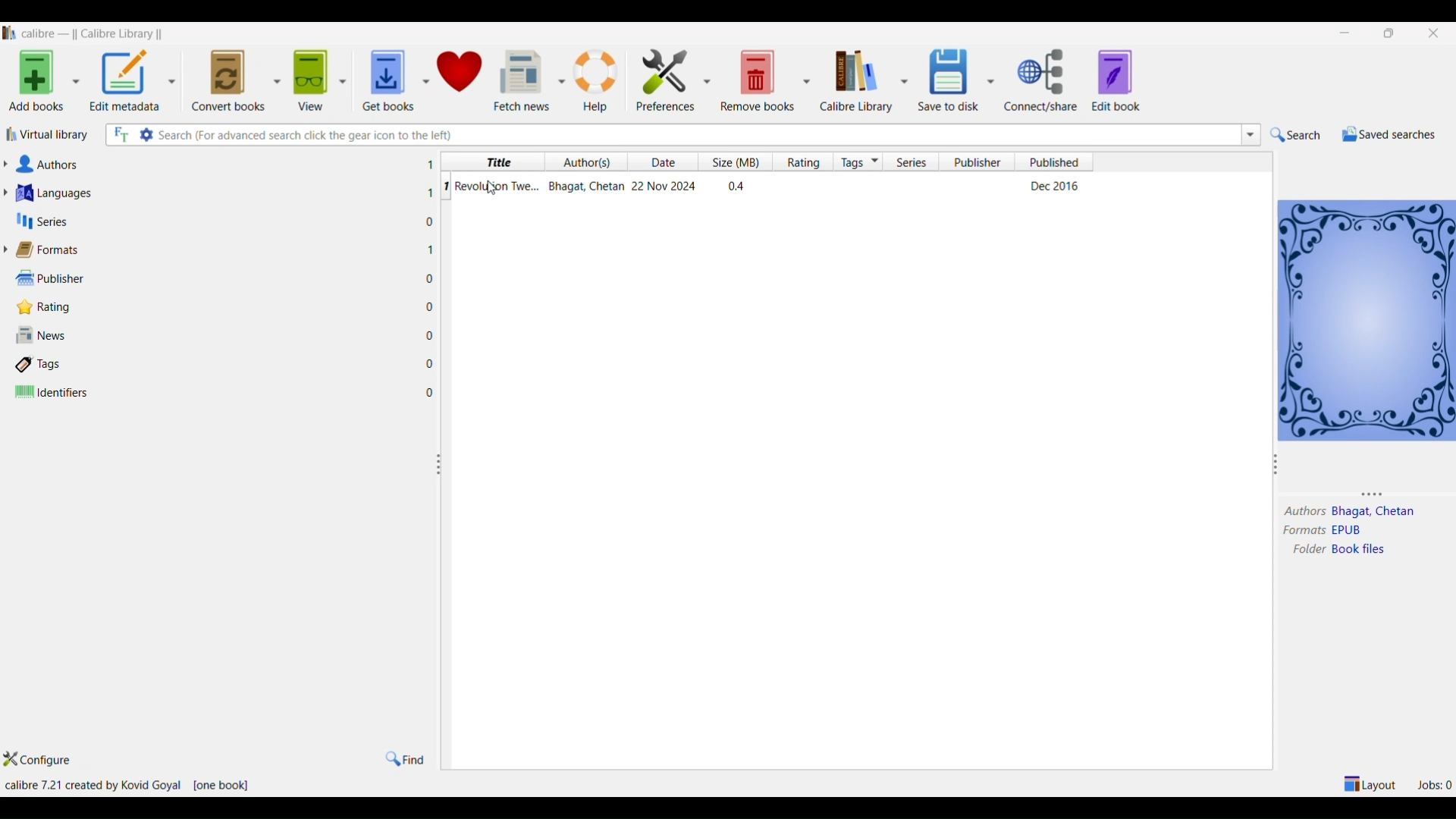 This screenshot has width=1456, height=819. What do you see at coordinates (445, 186) in the screenshot?
I see `1` at bounding box center [445, 186].